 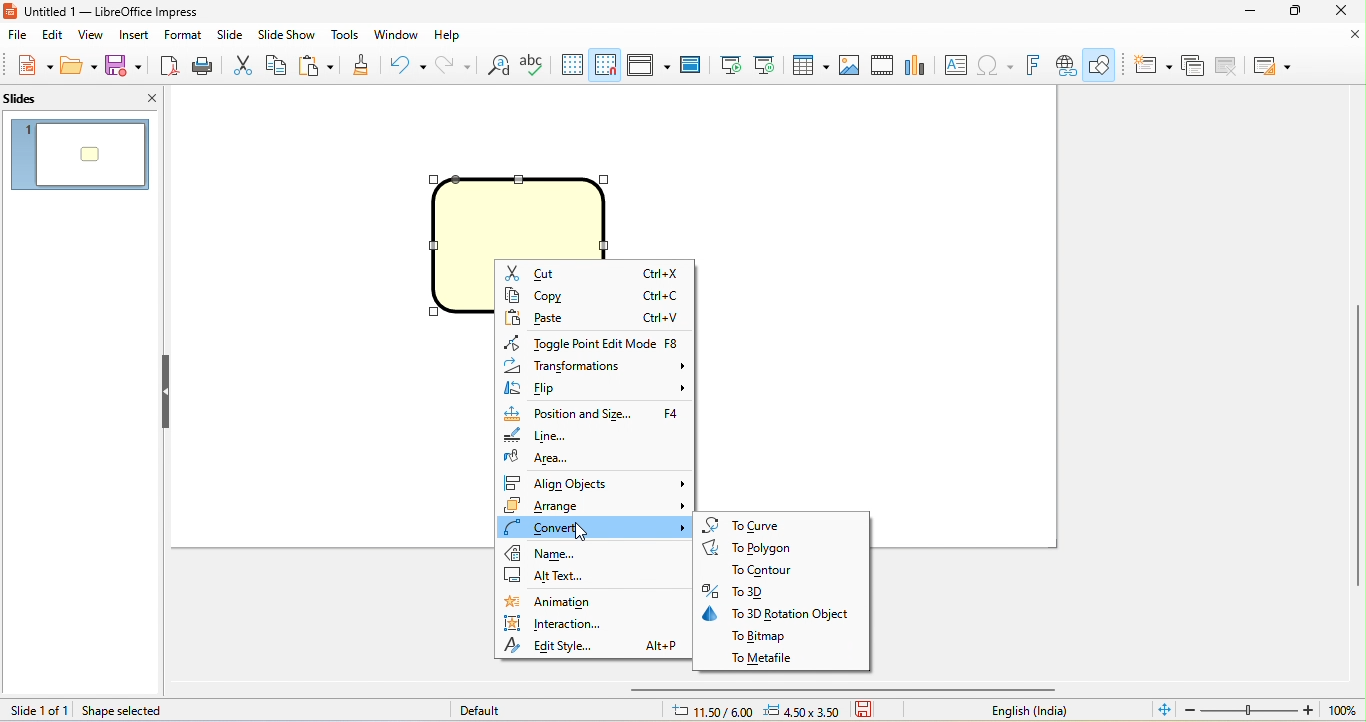 What do you see at coordinates (404, 64) in the screenshot?
I see `undo` at bounding box center [404, 64].